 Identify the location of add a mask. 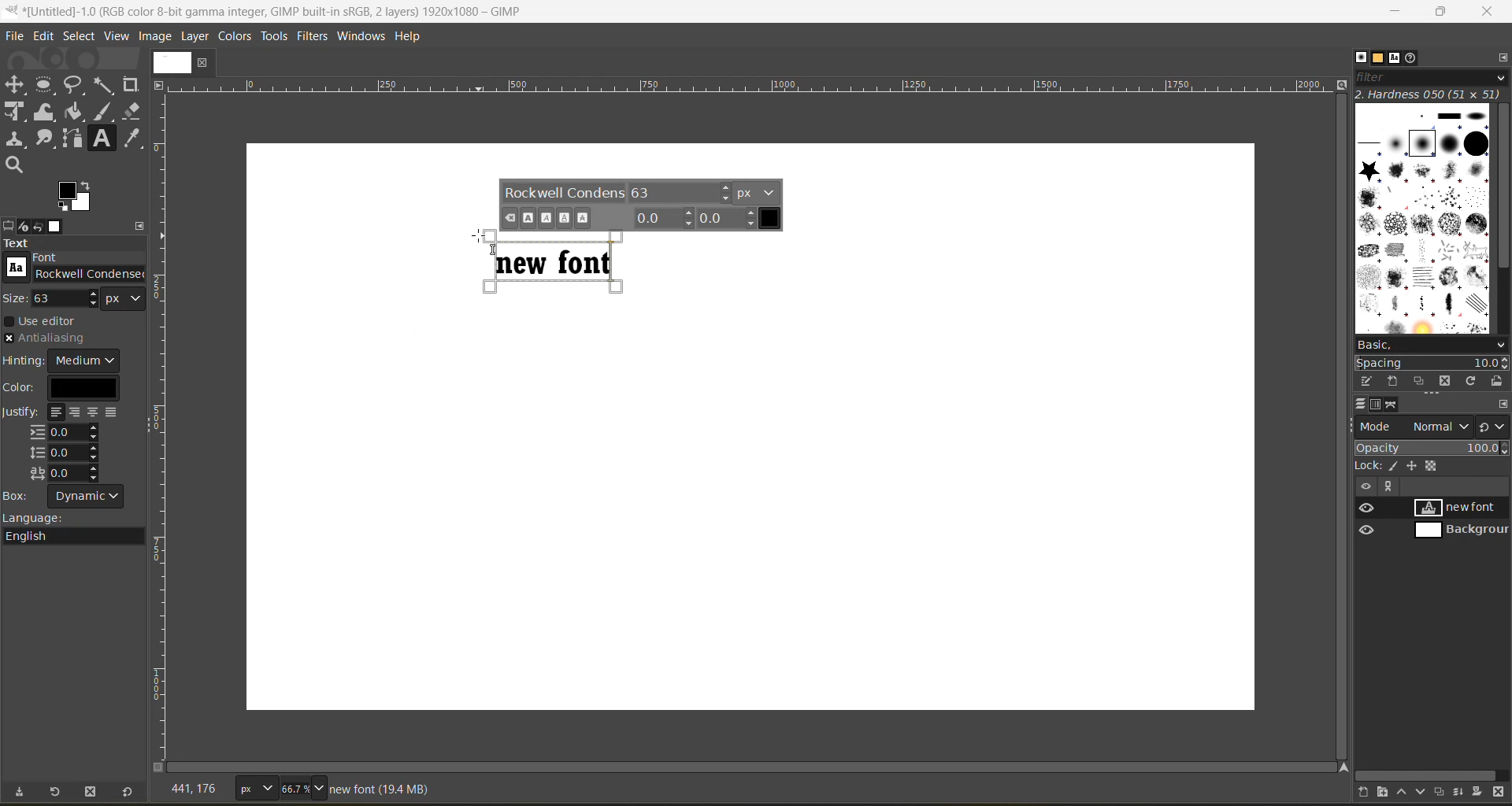
(1481, 792).